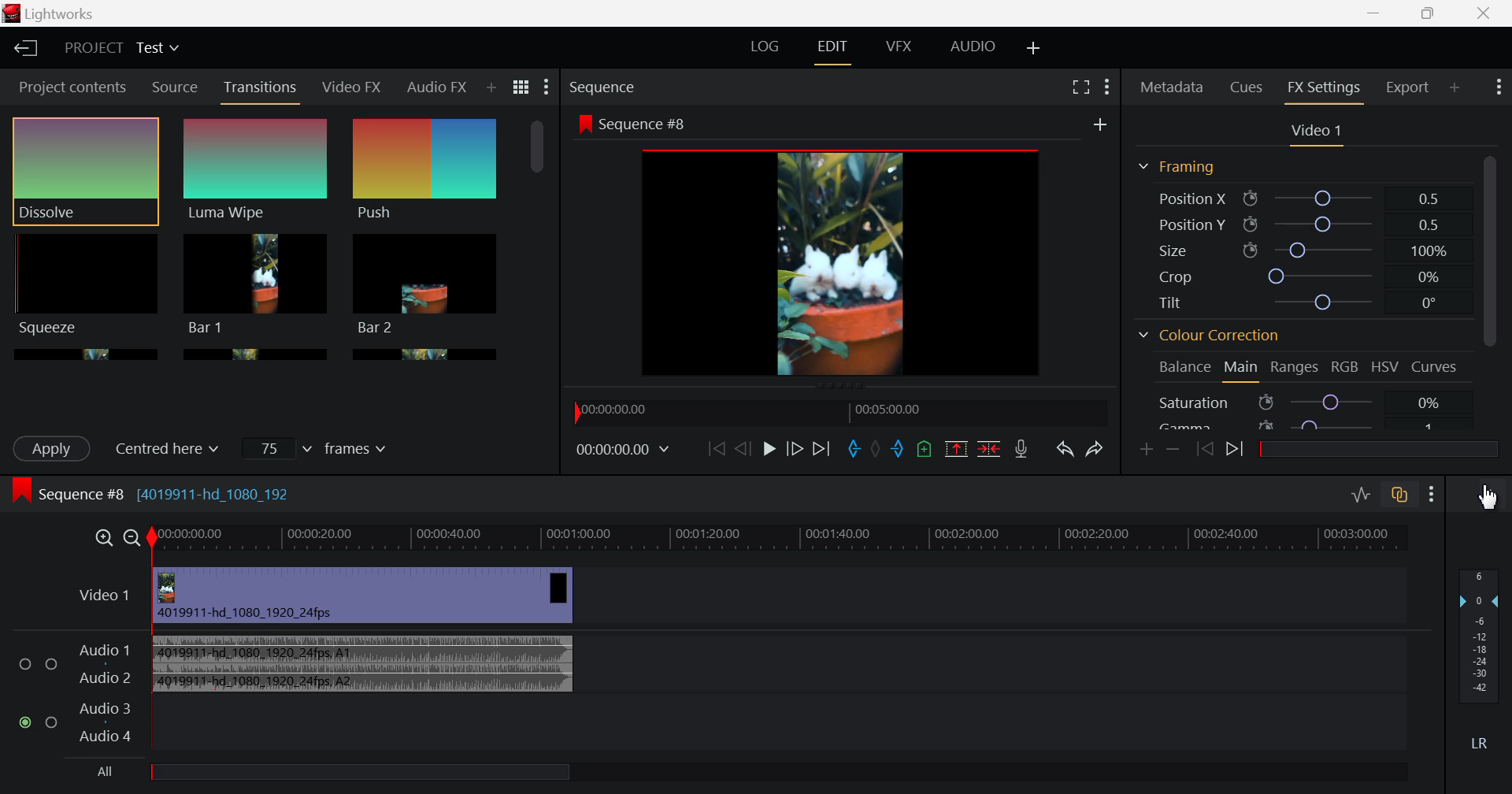  I want to click on Go Back, so click(741, 450).